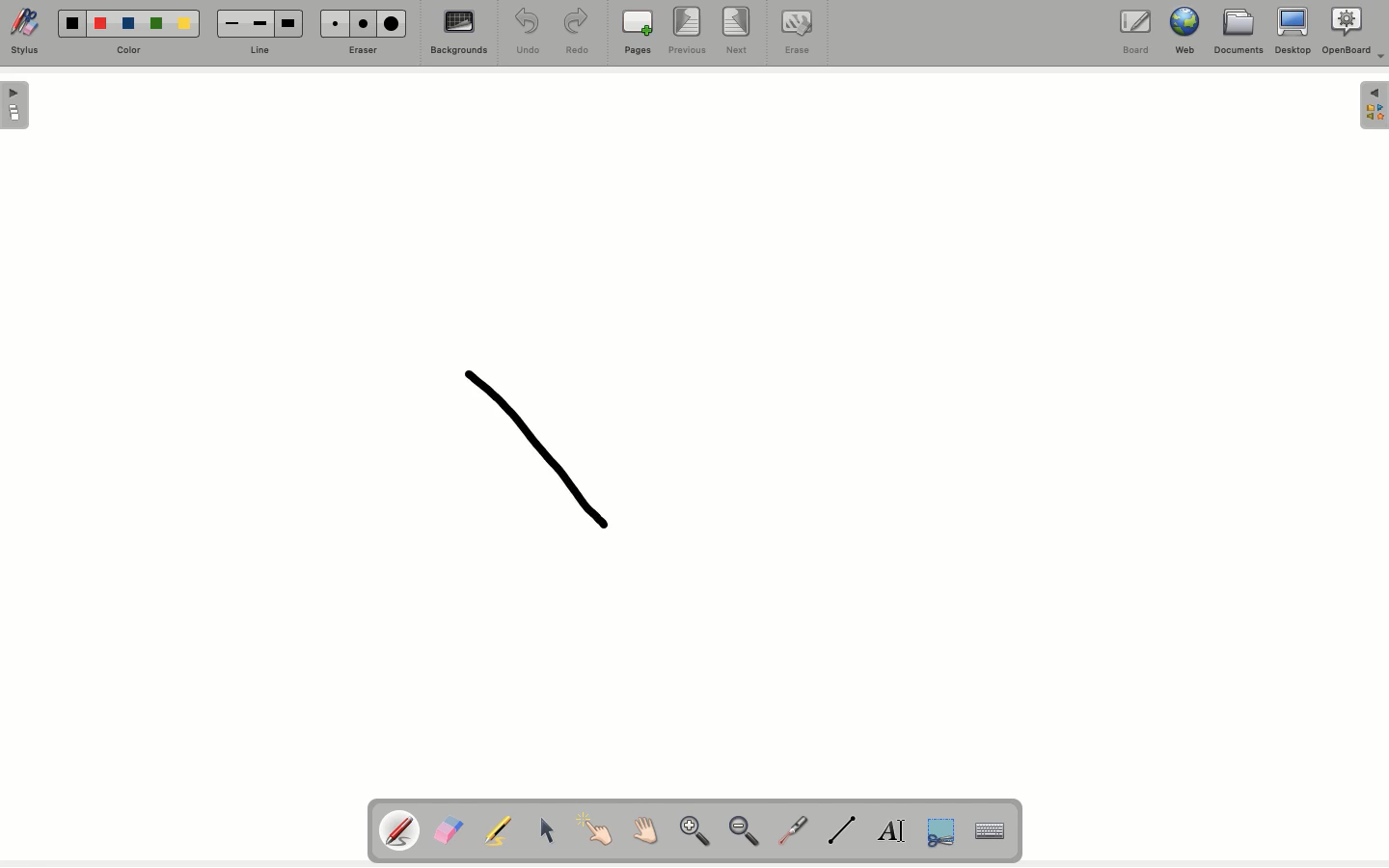 This screenshot has height=868, width=1389. I want to click on Keyboard, so click(991, 830).